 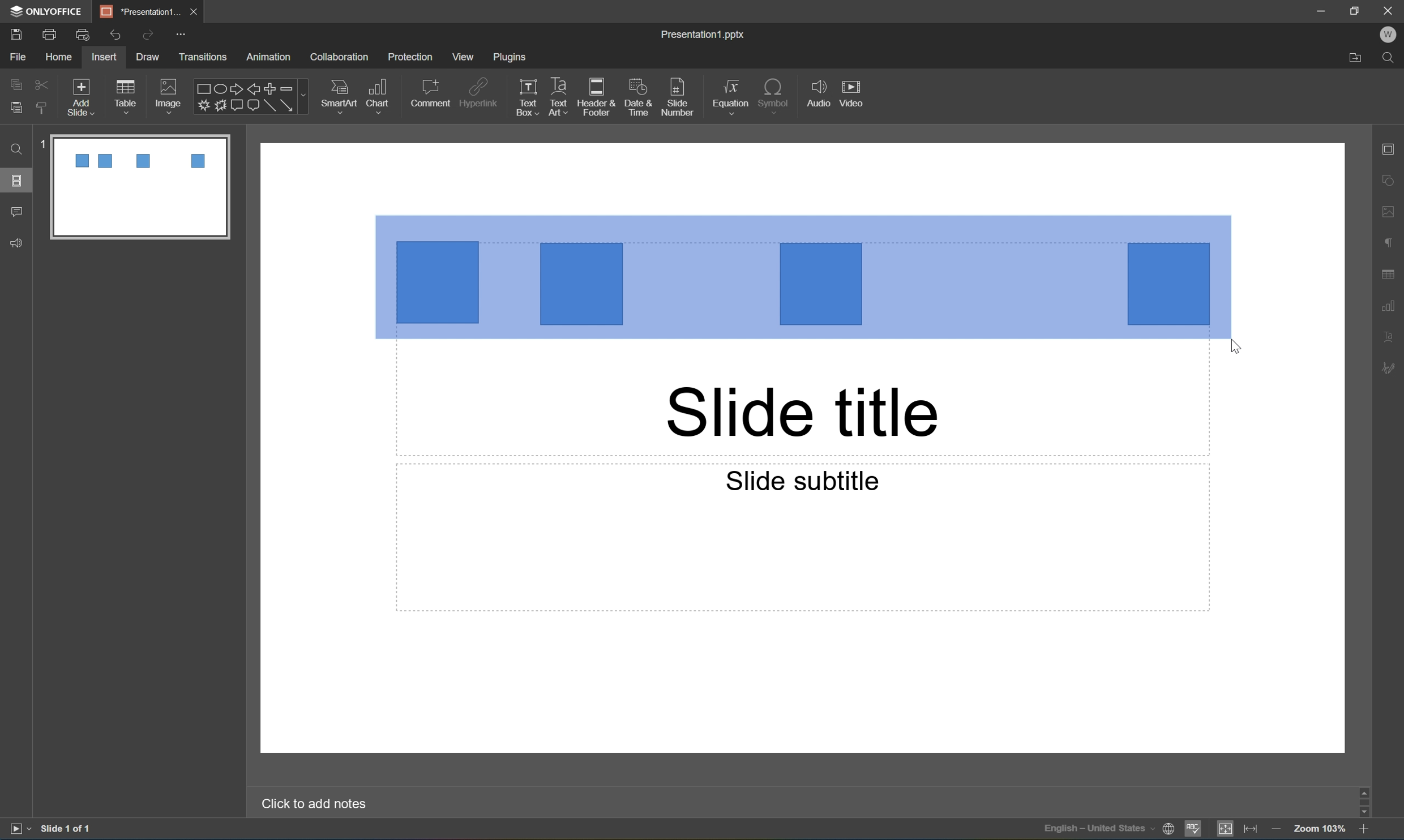 What do you see at coordinates (17, 150) in the screenshot?
I see `Find` at bounding box center [17, 150].